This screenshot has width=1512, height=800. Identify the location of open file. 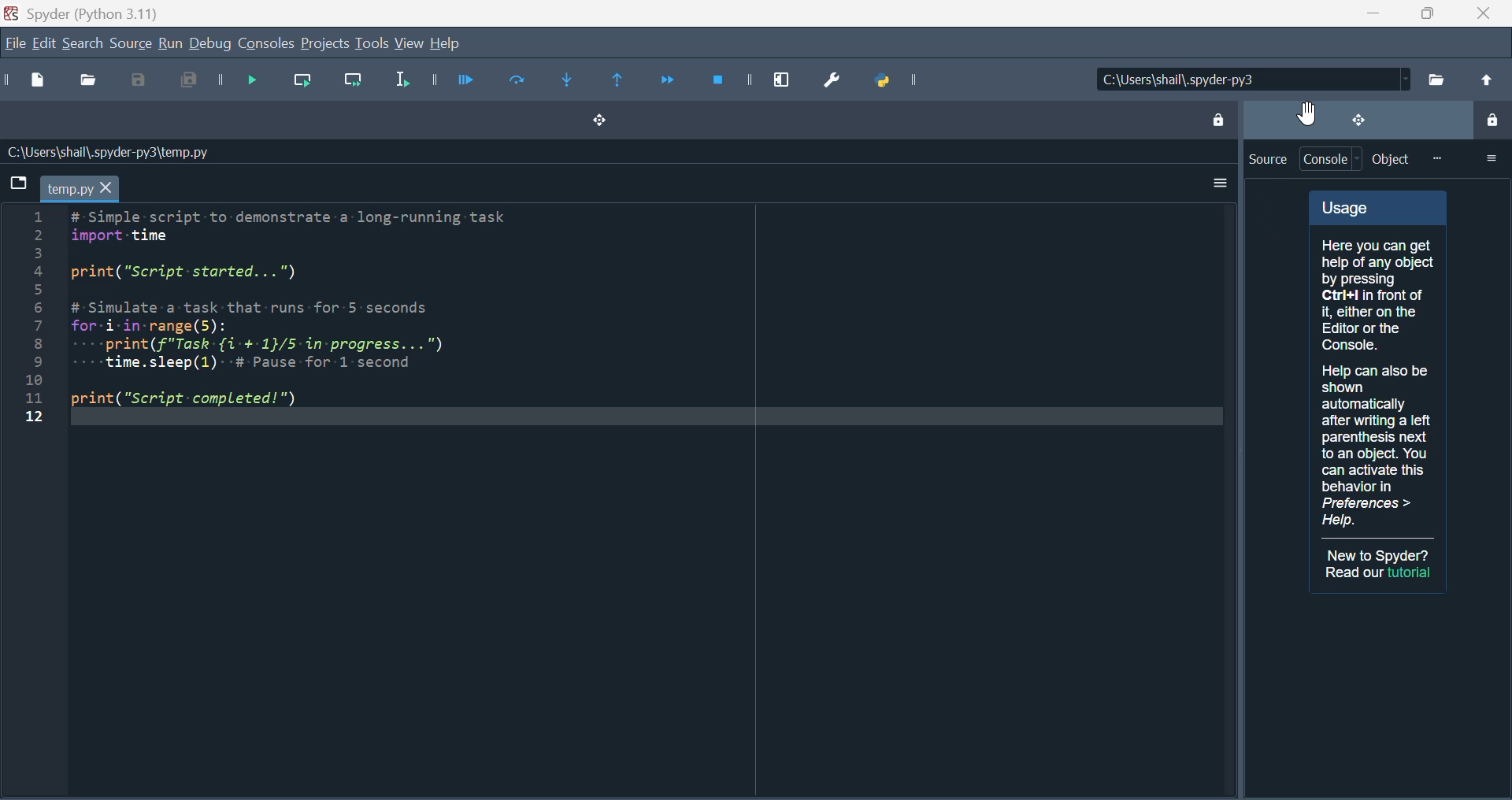
(91, 83).